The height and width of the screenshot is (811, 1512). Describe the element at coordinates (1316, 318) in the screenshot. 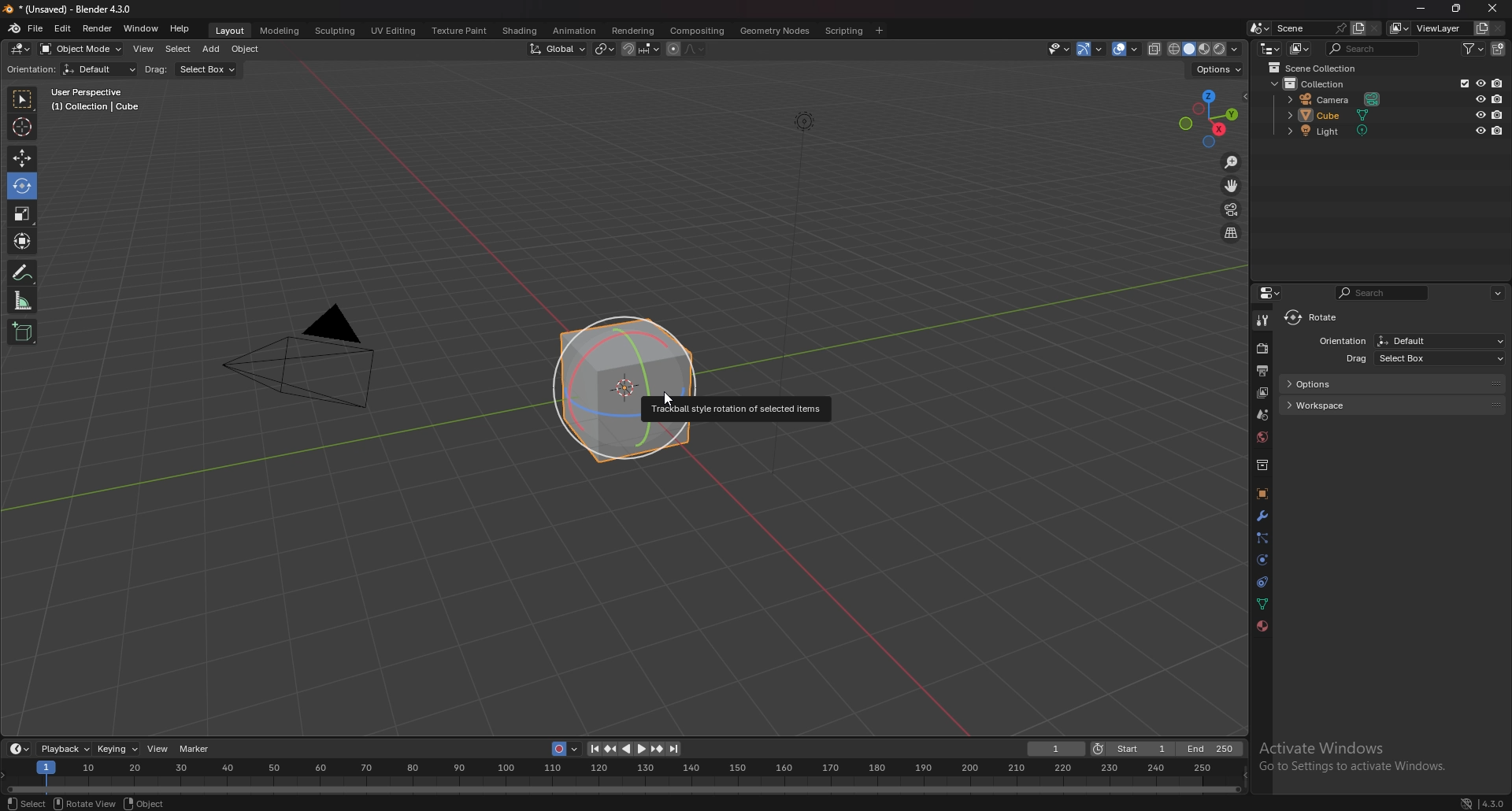

I see `rotate` at that location.